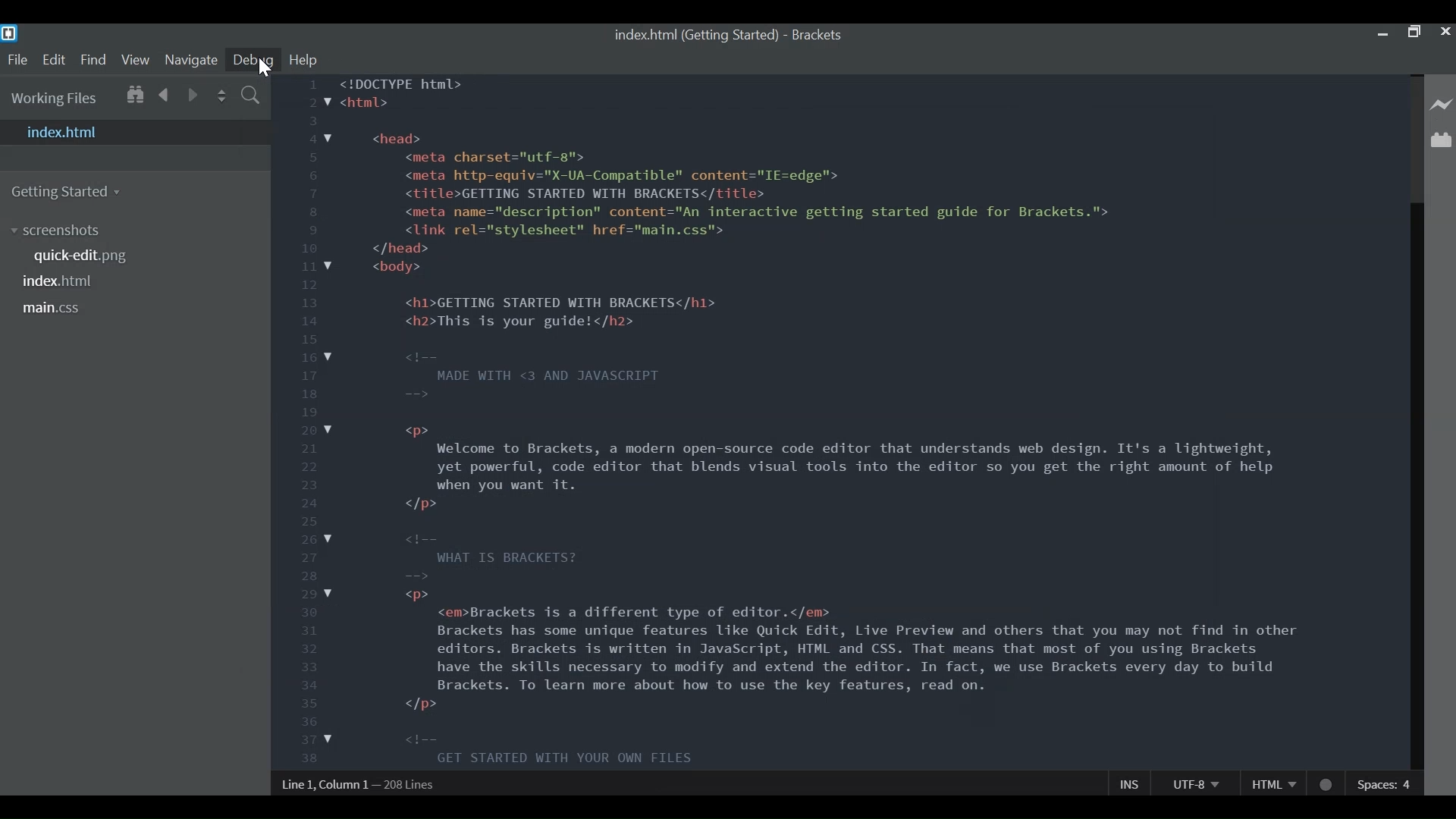  I want to click on Line Preview, so click(1442, 106).